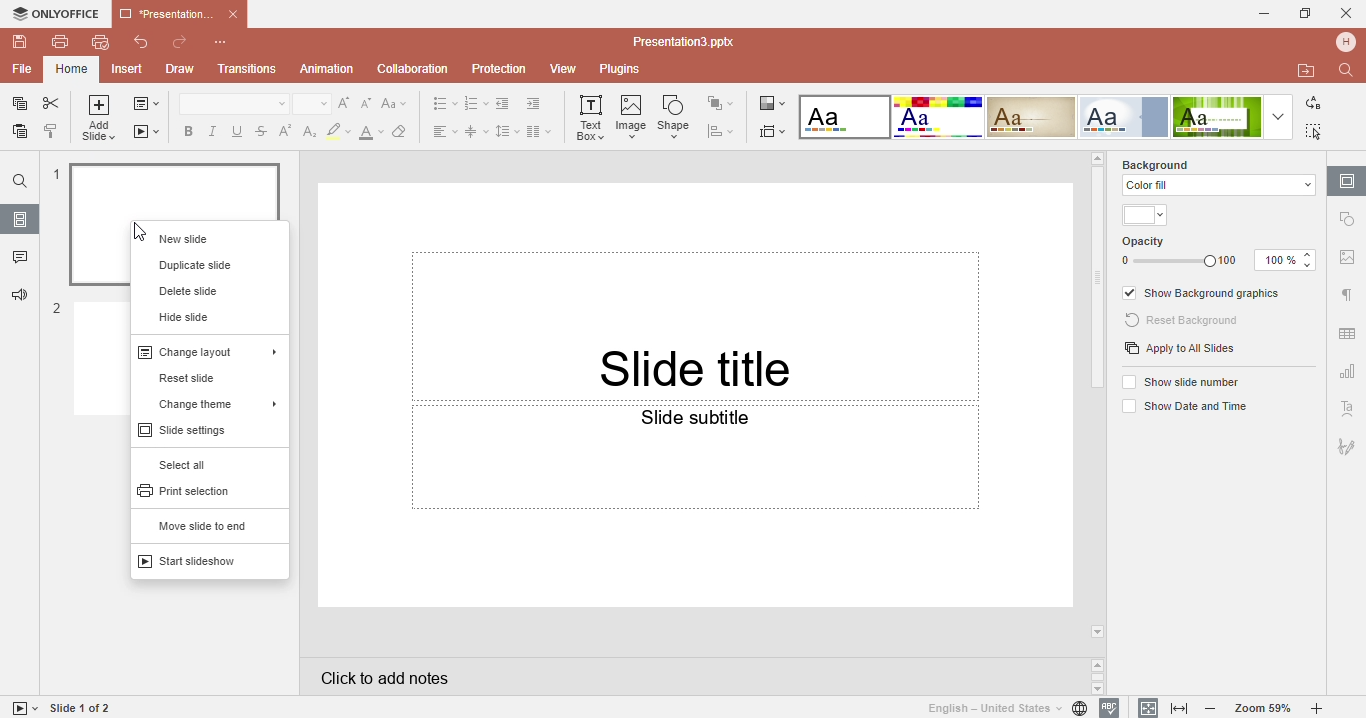  Describe the element at coordinates (505, 103) in the screenshot. I see `Decrease indent` at that location.